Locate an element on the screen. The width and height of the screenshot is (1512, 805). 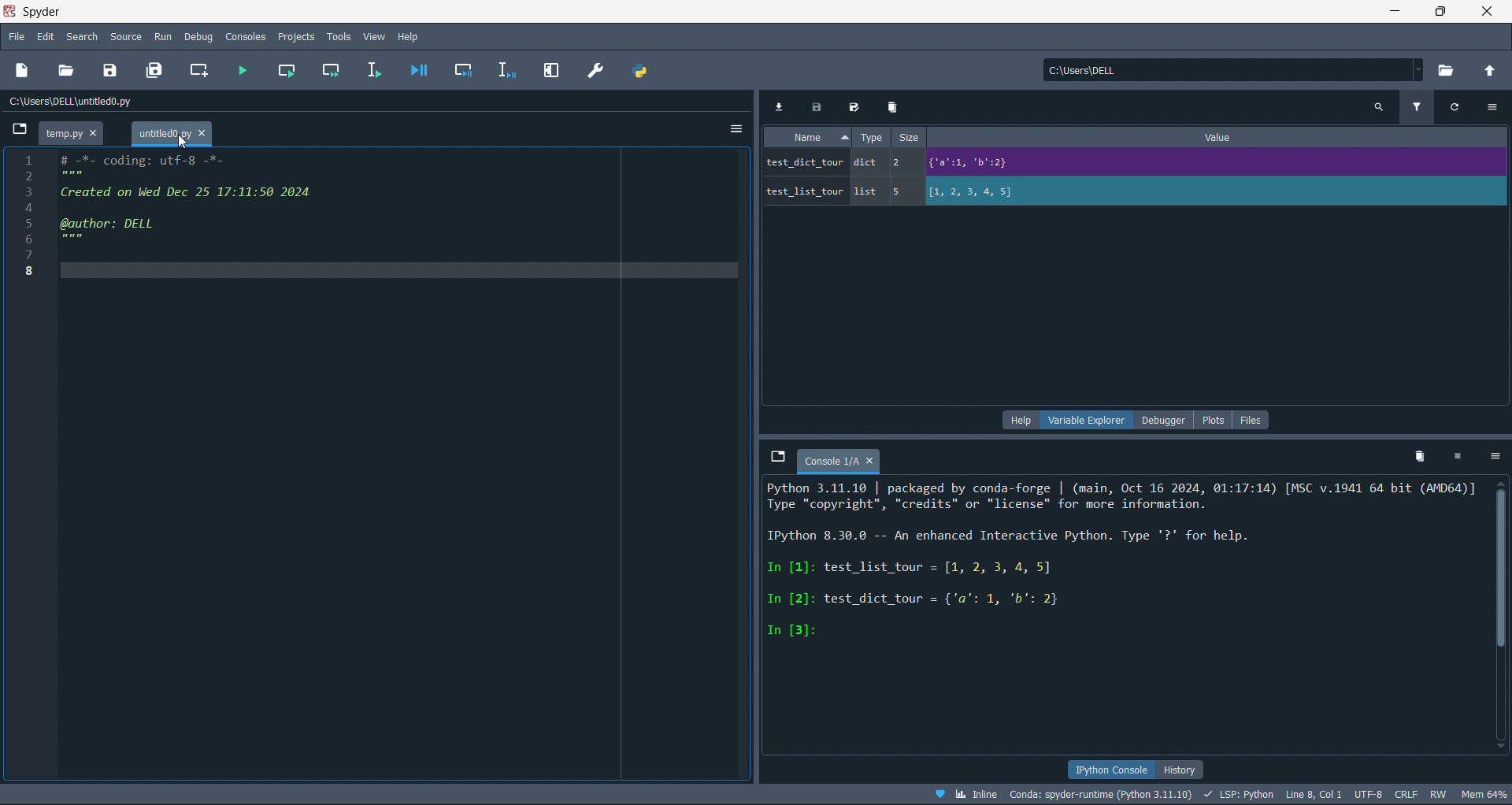
Inline is located at coordinates (967, 792).